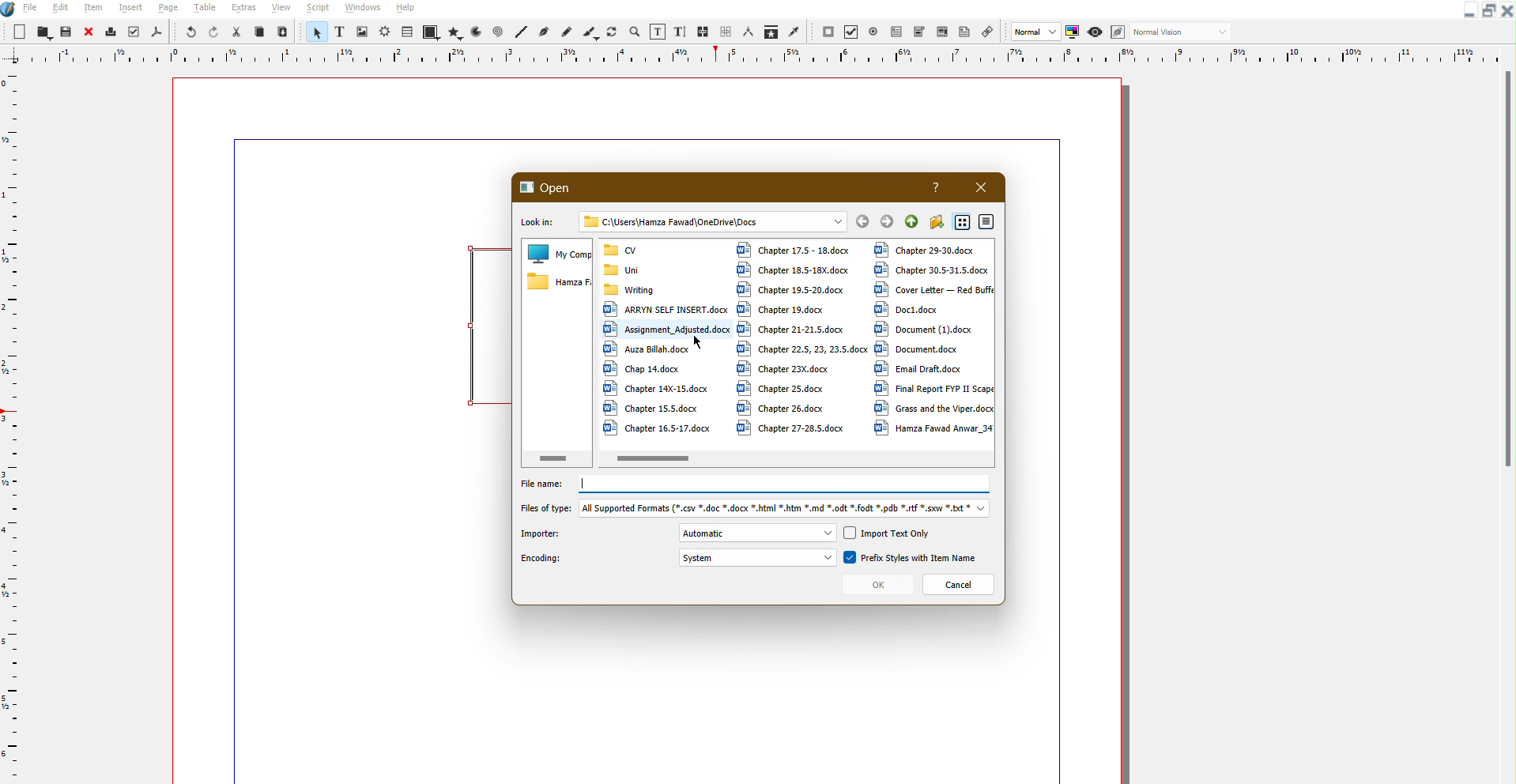 This screenshot has height=784, width=1516. I want to click on File Controls, so click(925, 221).